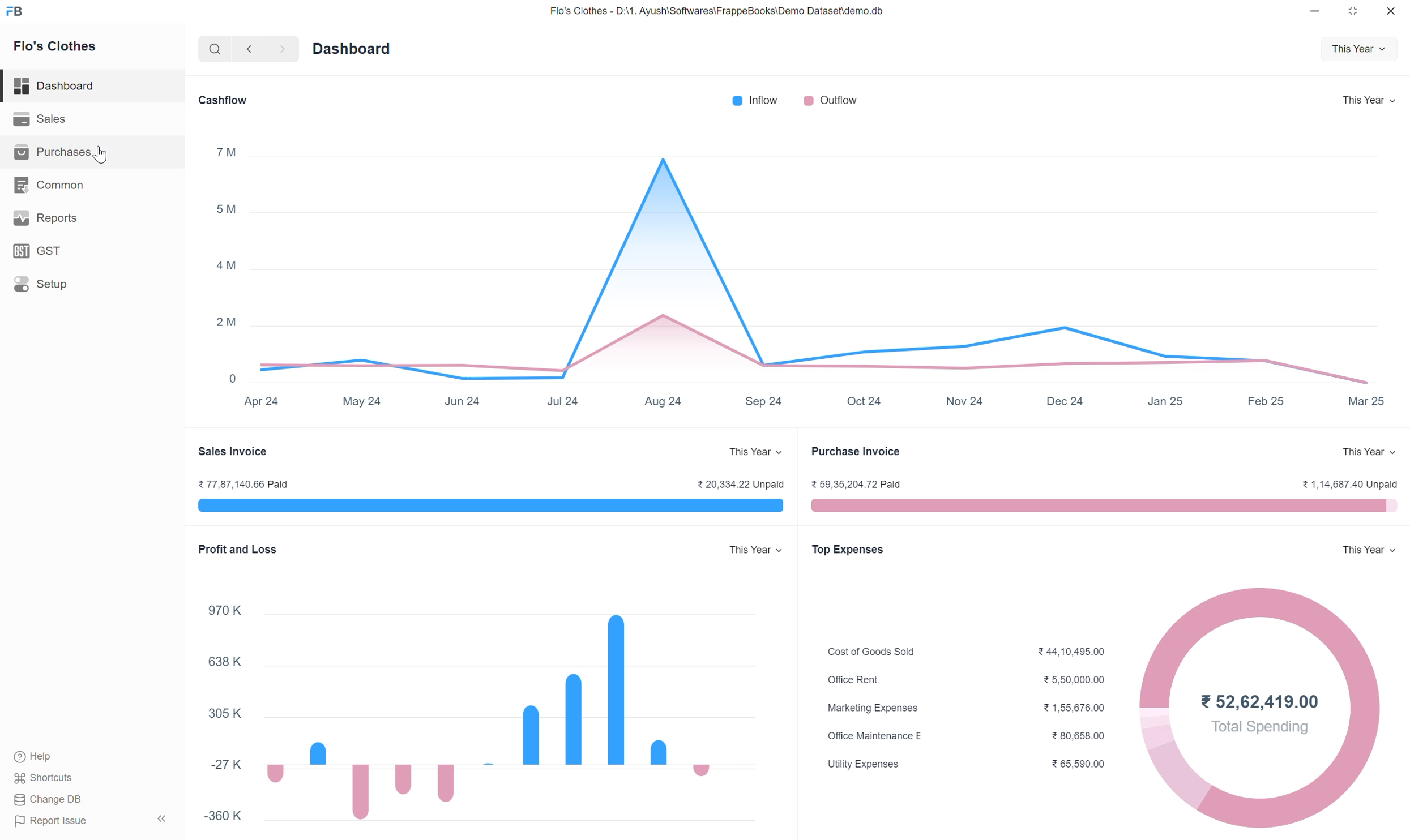 This screenshot has width=1410, height=840. Describe the element at coordinates (758, 451) in the screenshot. I see `this year` at that location.